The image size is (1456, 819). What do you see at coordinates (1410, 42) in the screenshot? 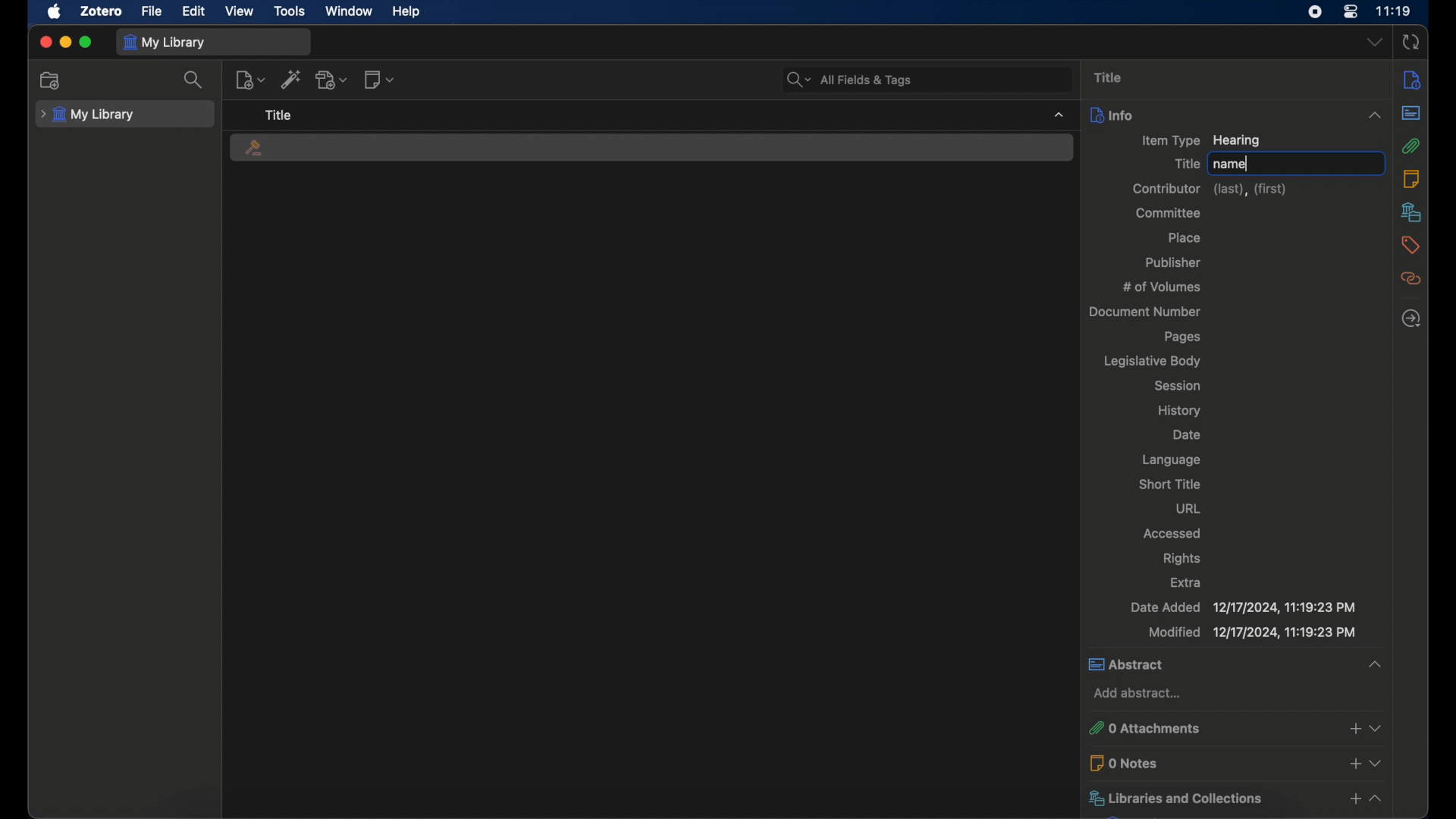
I see `ync` at bounding box center [1410, 42].